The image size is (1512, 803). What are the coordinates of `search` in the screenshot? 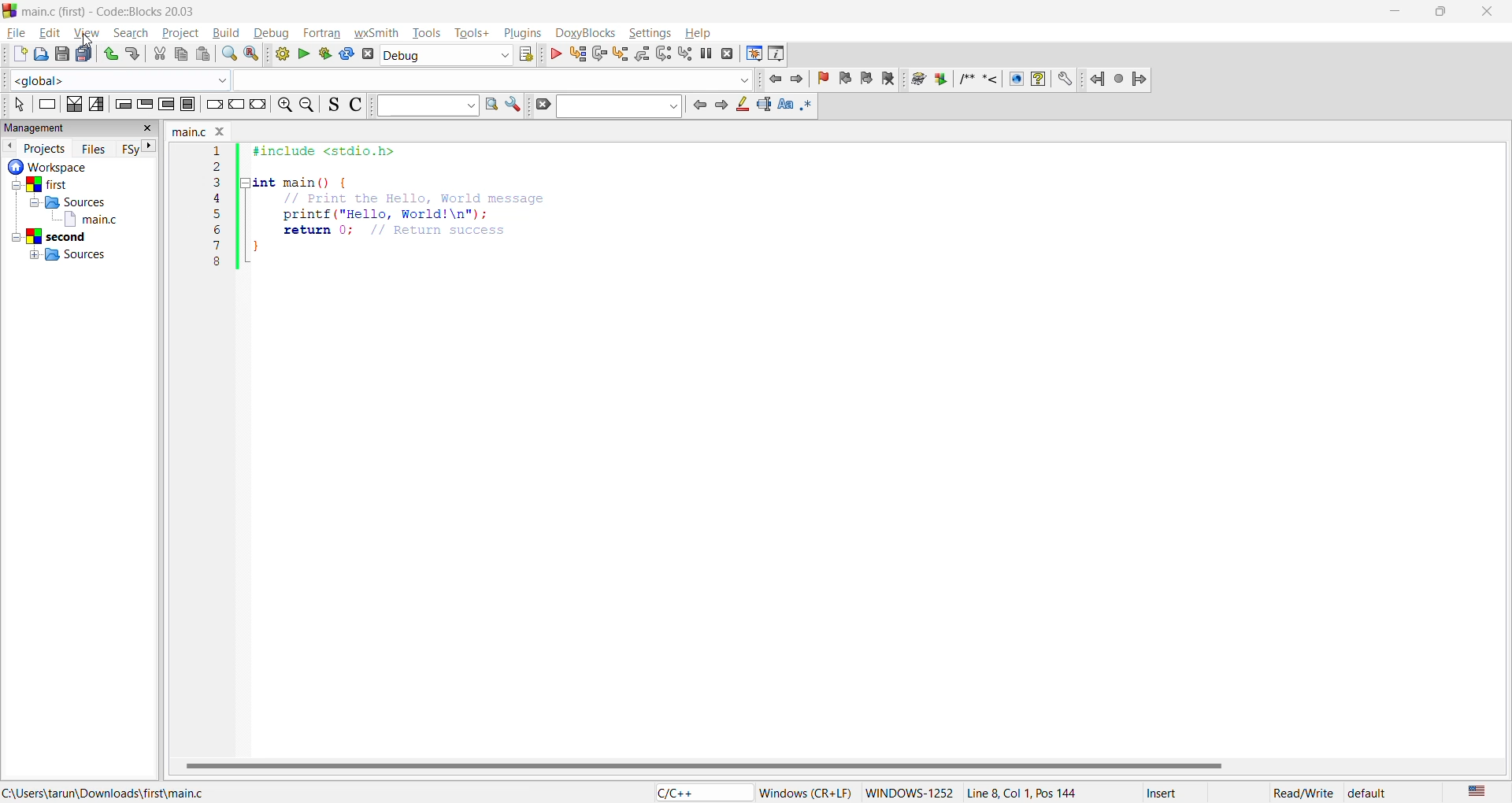 It's located at (132, 32).